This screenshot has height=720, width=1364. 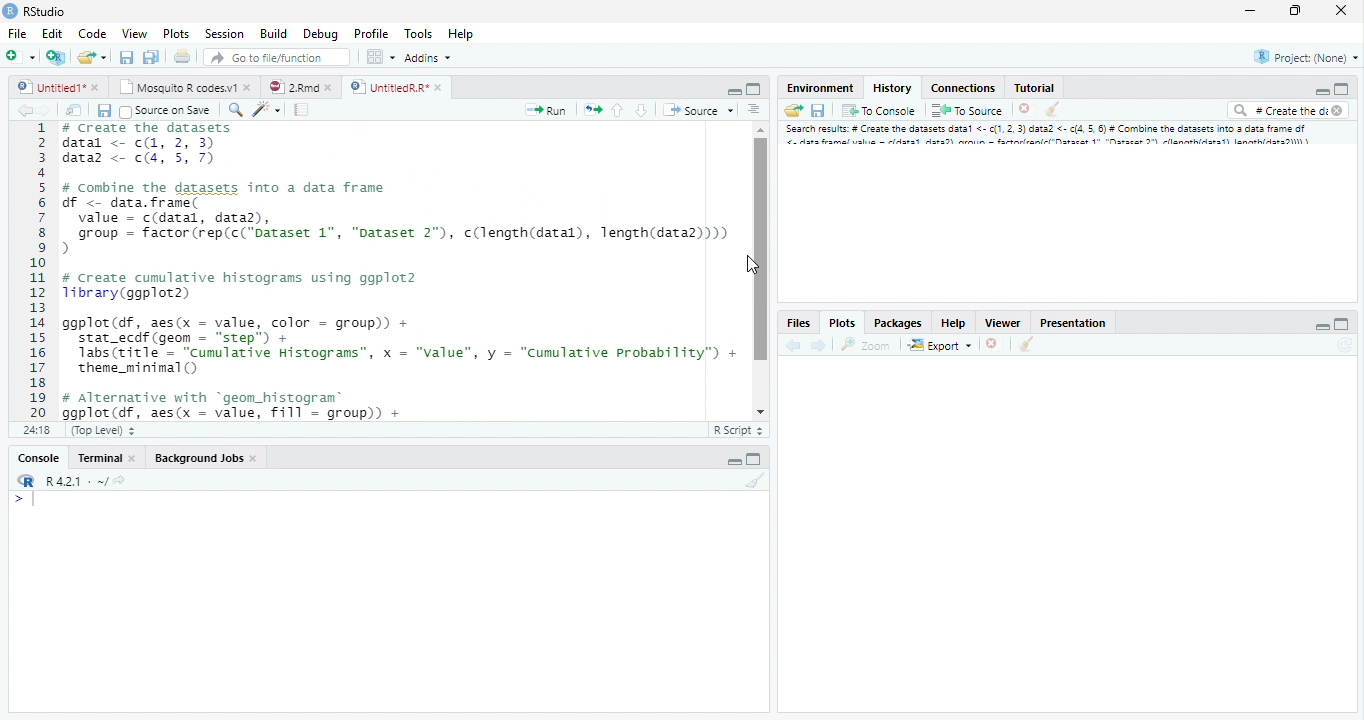 I want to click on Create a project, so click(x=56, y=55).